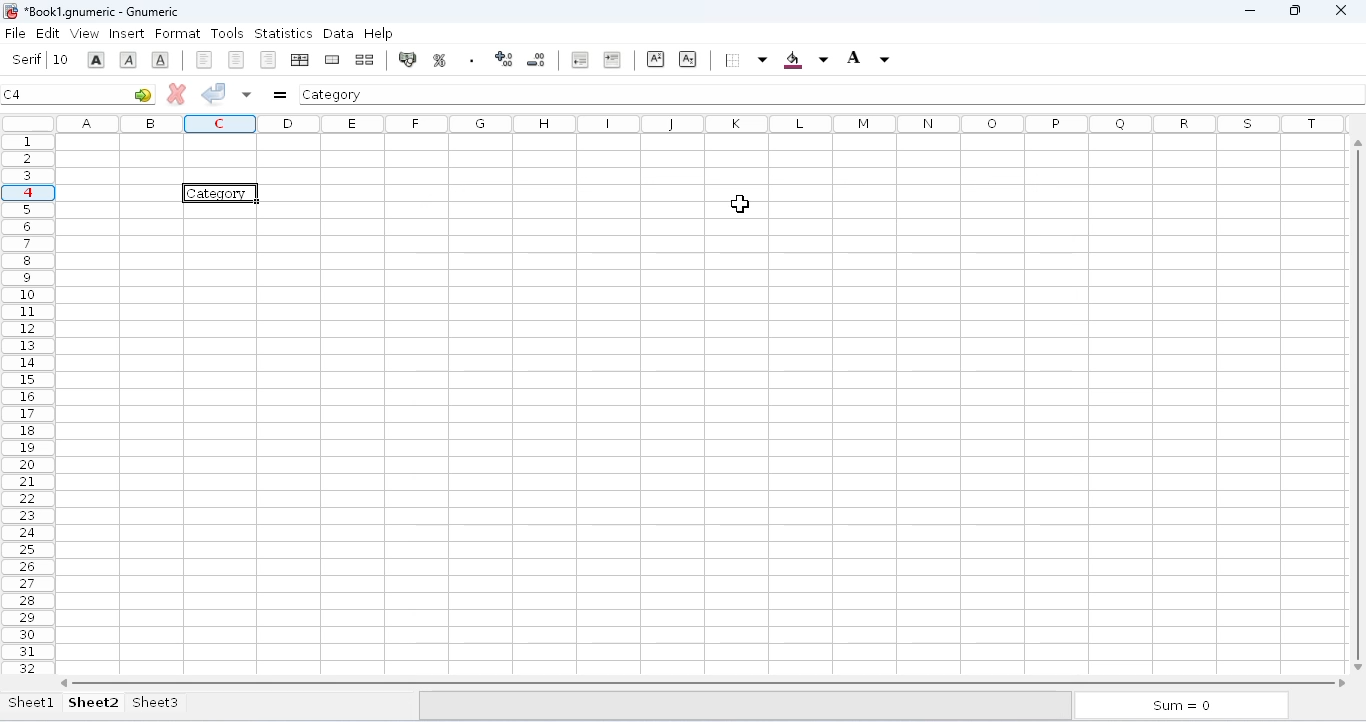 The height and width of the screenshot is (722, 1366). Describe the element at coordinates (25, 57) in the screenshot. I see `Serif` at that location.